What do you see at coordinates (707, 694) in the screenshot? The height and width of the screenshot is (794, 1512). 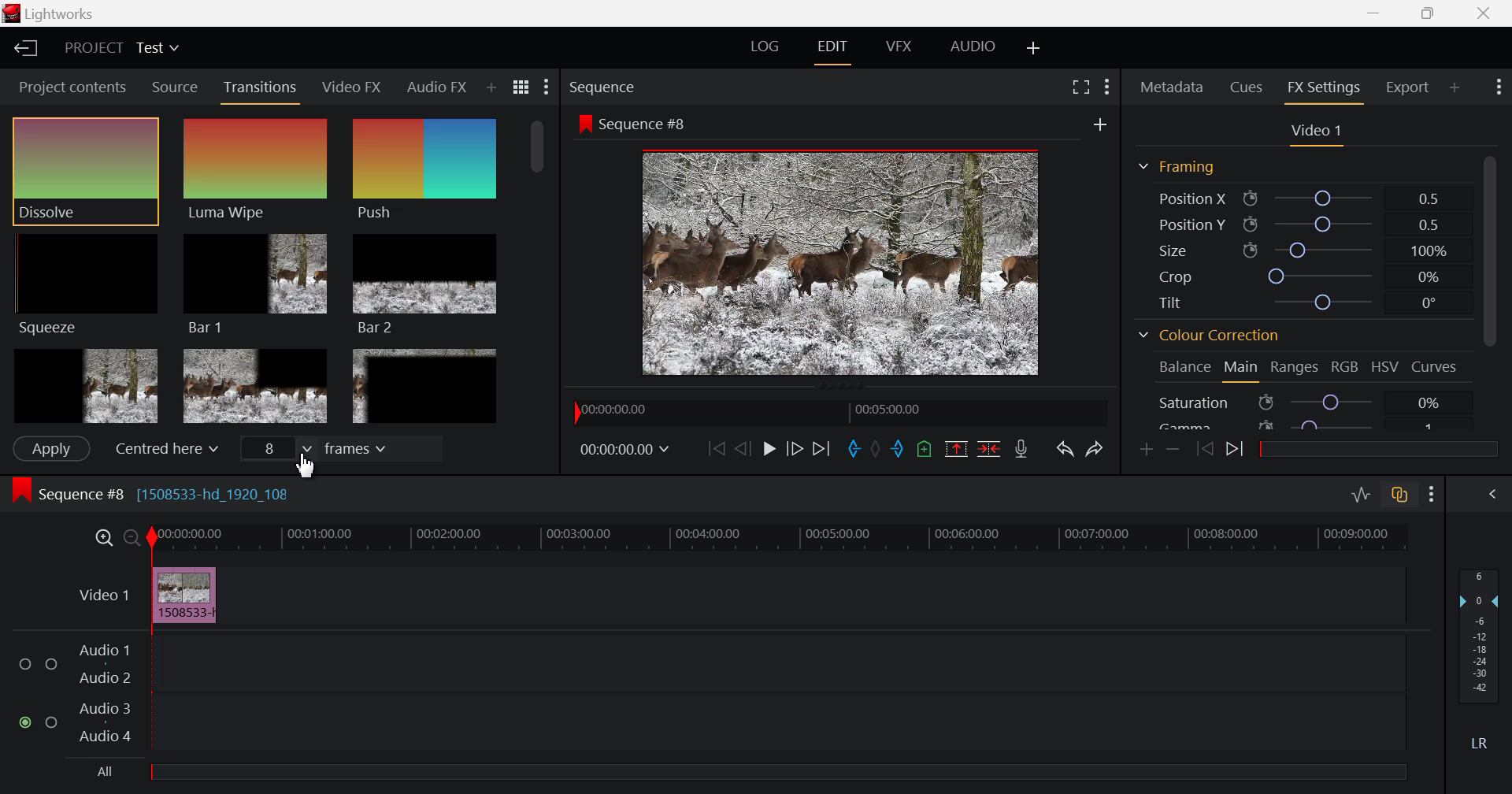 I see `Audio Input Field` at bounding box center [707, 694].